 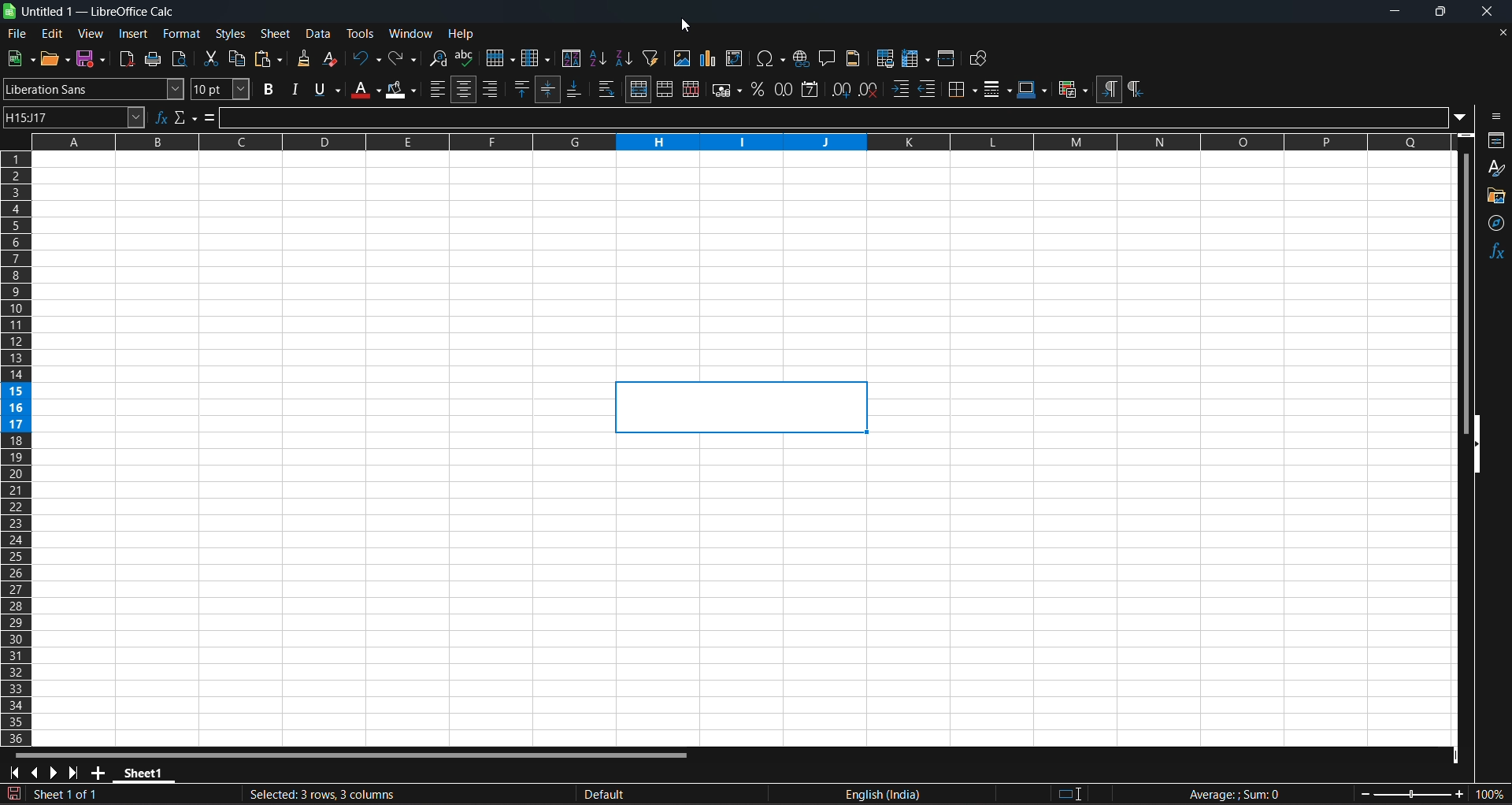 I want to click on font name, so click(x=94, y=88).